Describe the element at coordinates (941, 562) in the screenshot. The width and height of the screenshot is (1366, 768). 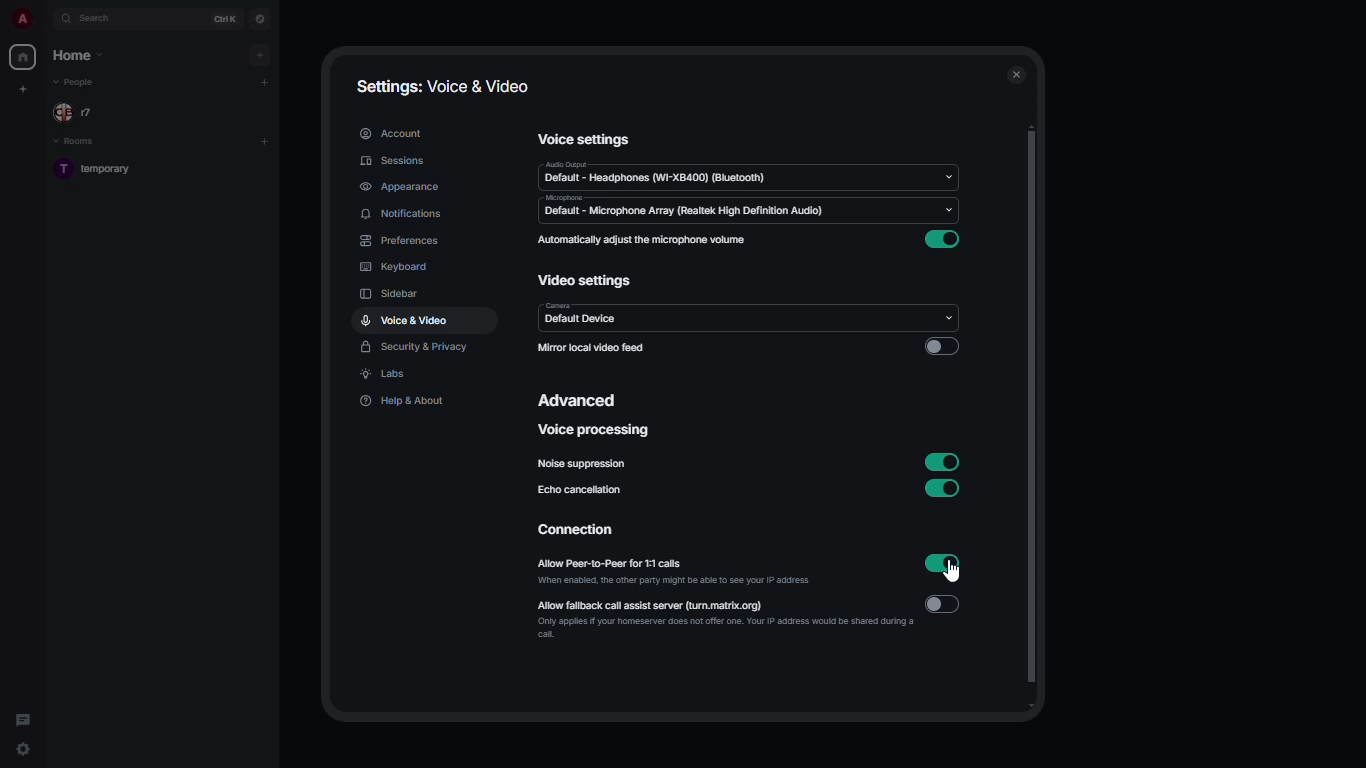
I see `enabled` at that location.